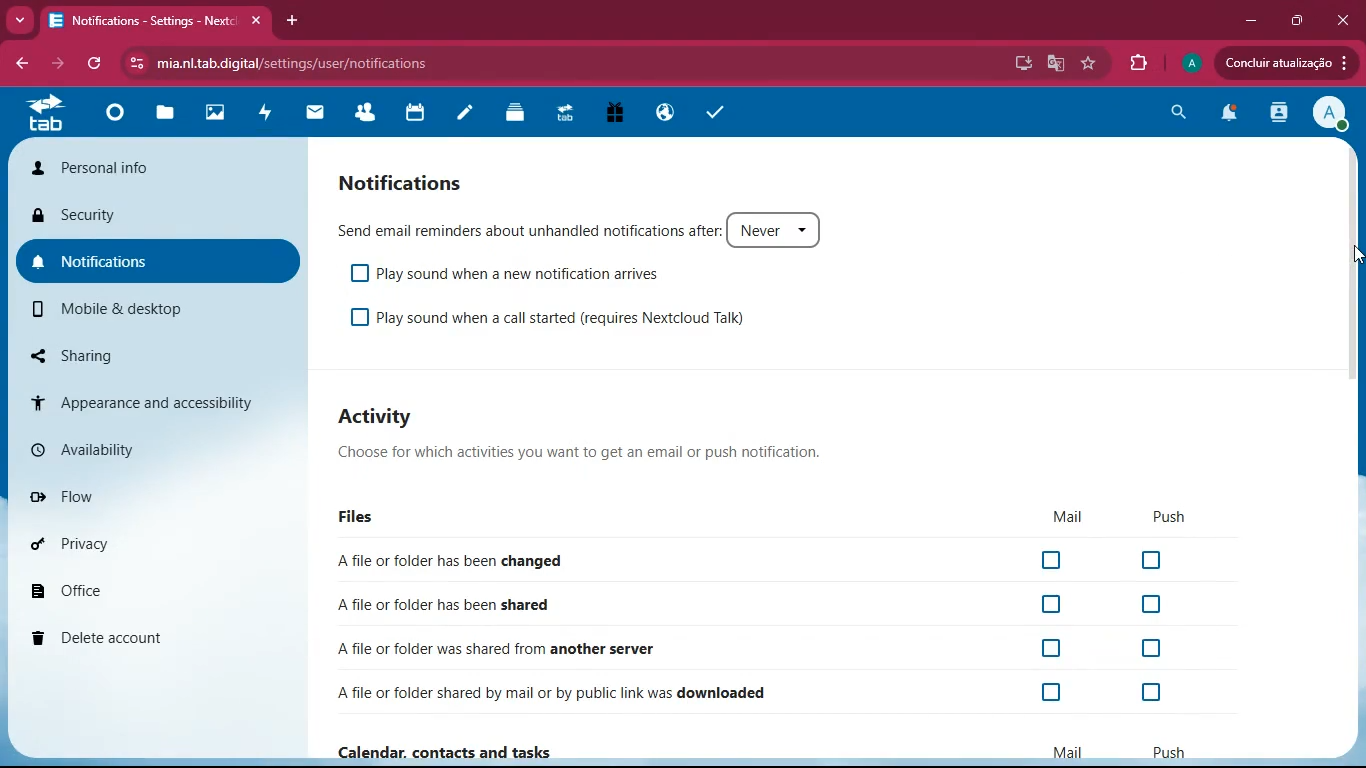  Describe the element at coordinates (137, 632) in the screenshot. I see `delete ` at that location.